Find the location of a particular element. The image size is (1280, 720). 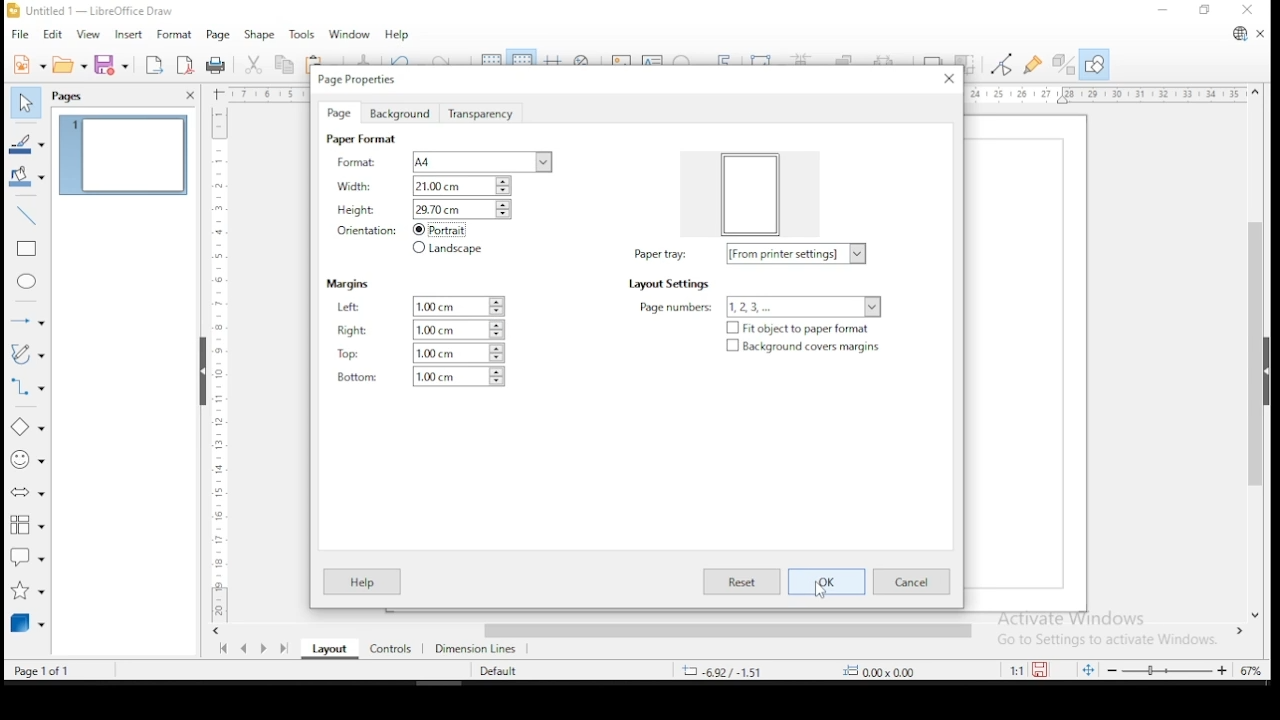

clone formatting is located at coordinates (364, 58).